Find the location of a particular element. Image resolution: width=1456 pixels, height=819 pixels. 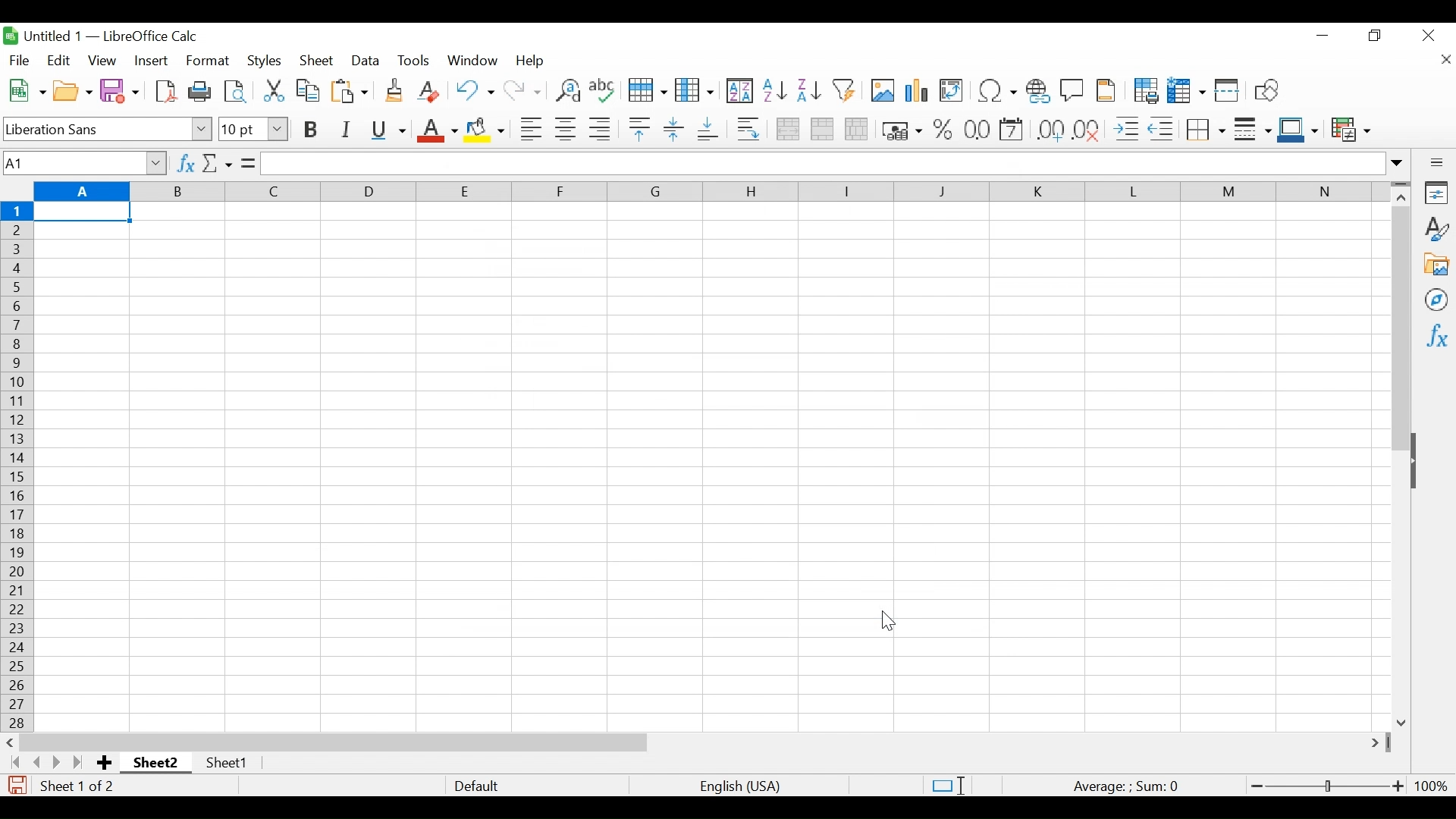

Decrease indent is located at coordinates (1163, 129).